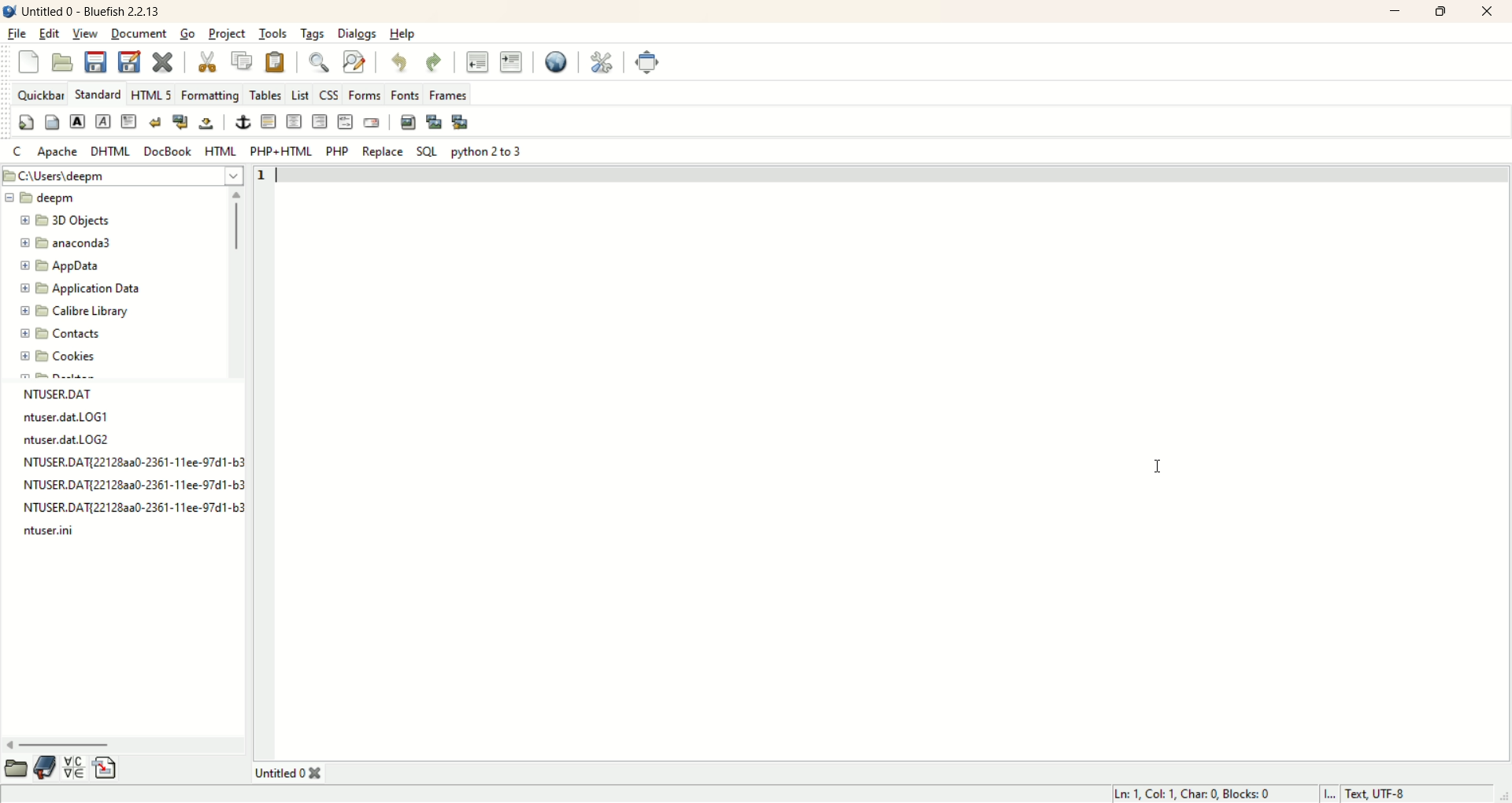 The height and width of the screenshot is (803, 1512). I want to click on save current file, so click(93, 61).